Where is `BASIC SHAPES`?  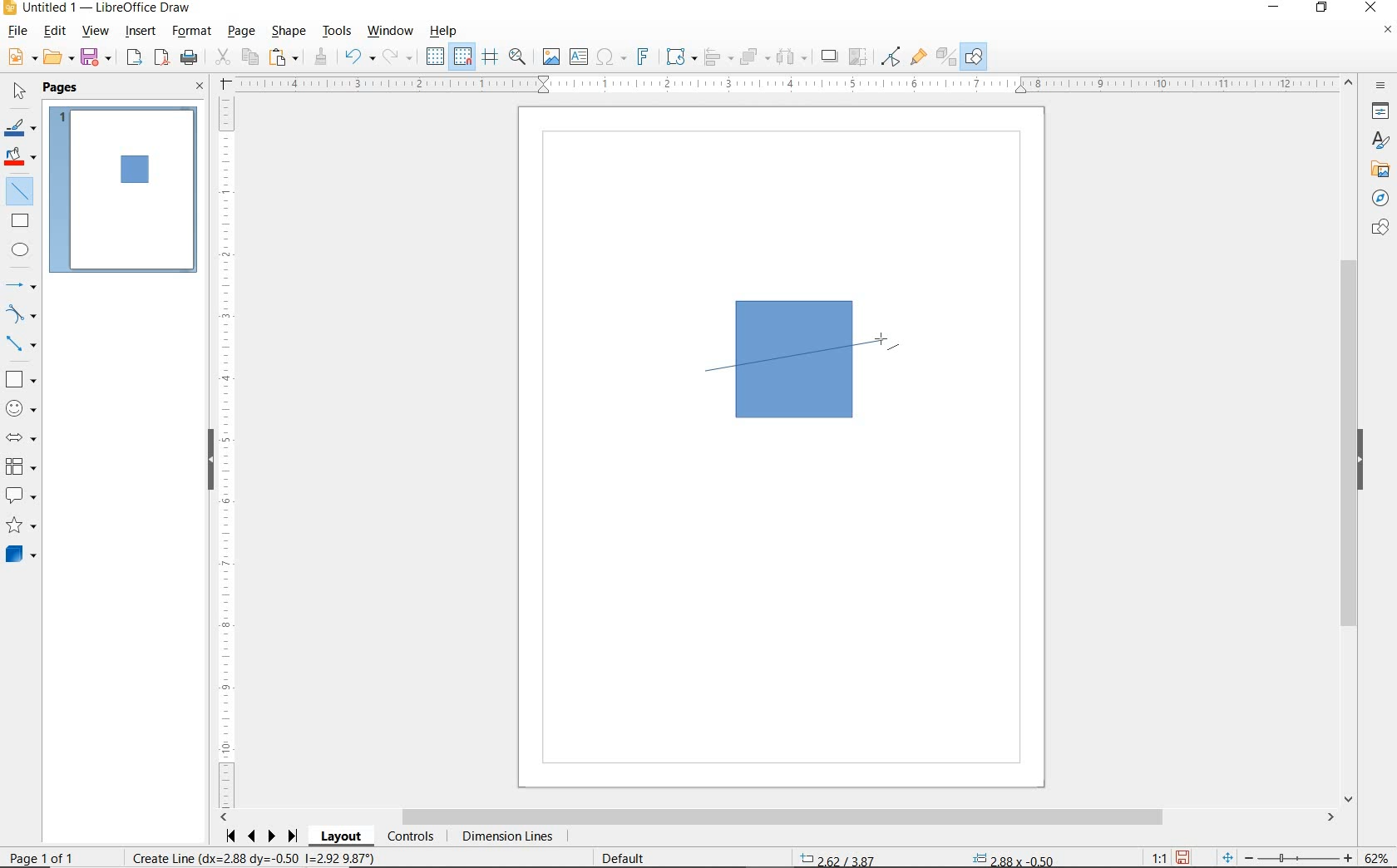
BASIC SHAPES is located at coordinates (19, 377).